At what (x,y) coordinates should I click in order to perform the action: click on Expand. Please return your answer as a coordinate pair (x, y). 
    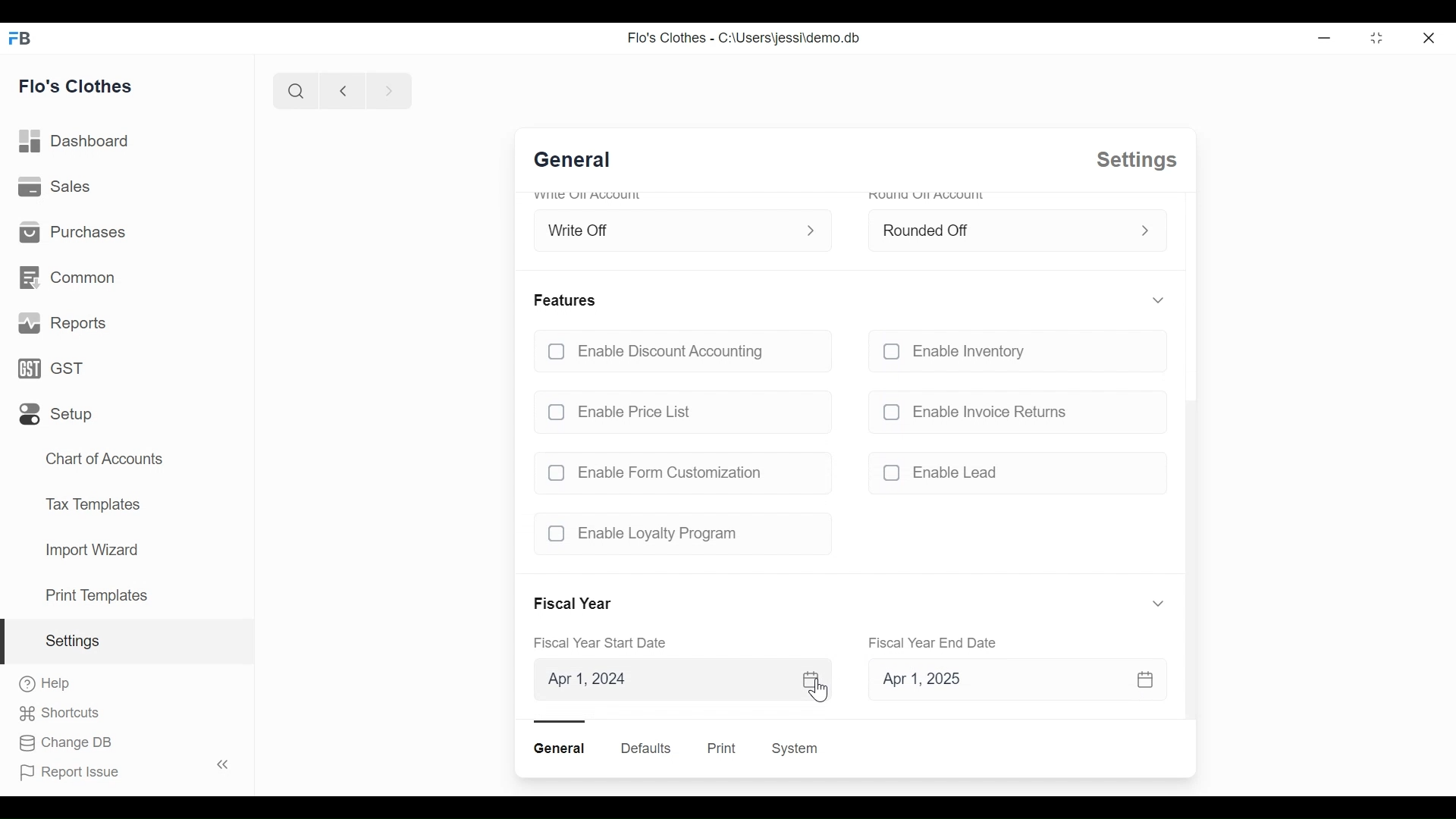
    Looking at the image, I should click on (1156, 300).